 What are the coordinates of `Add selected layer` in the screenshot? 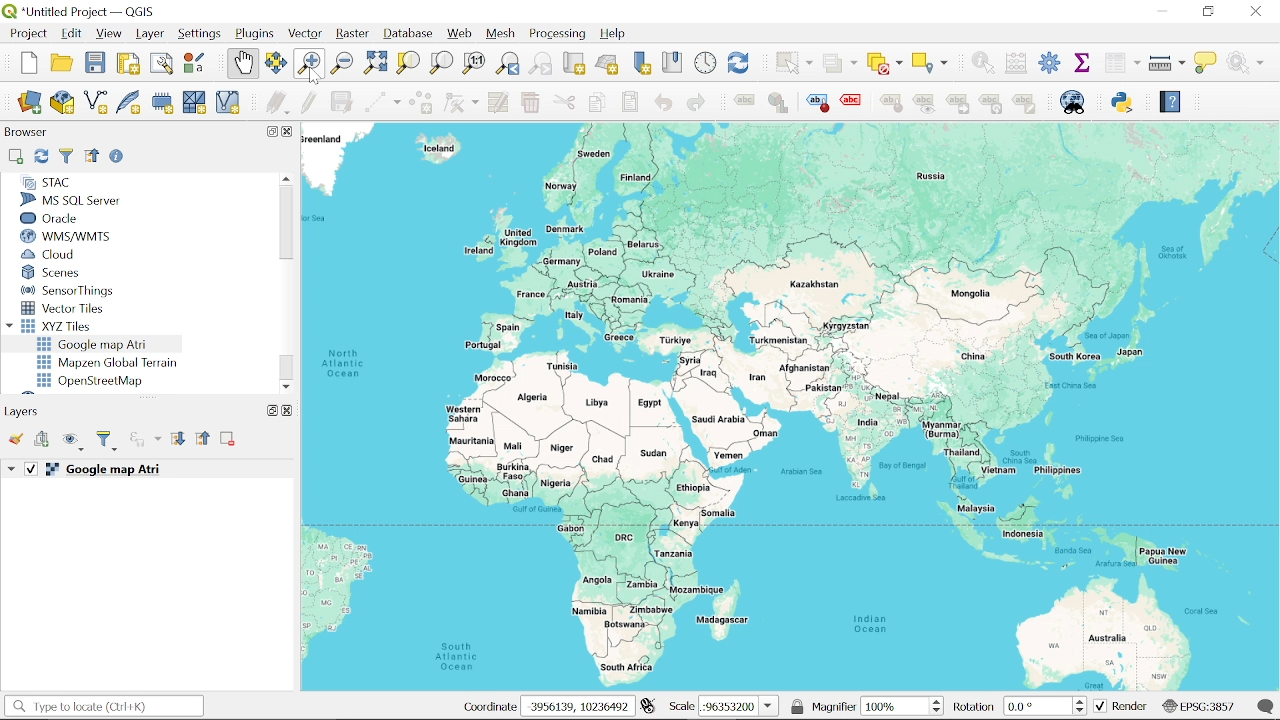 It's located at (14, 157).